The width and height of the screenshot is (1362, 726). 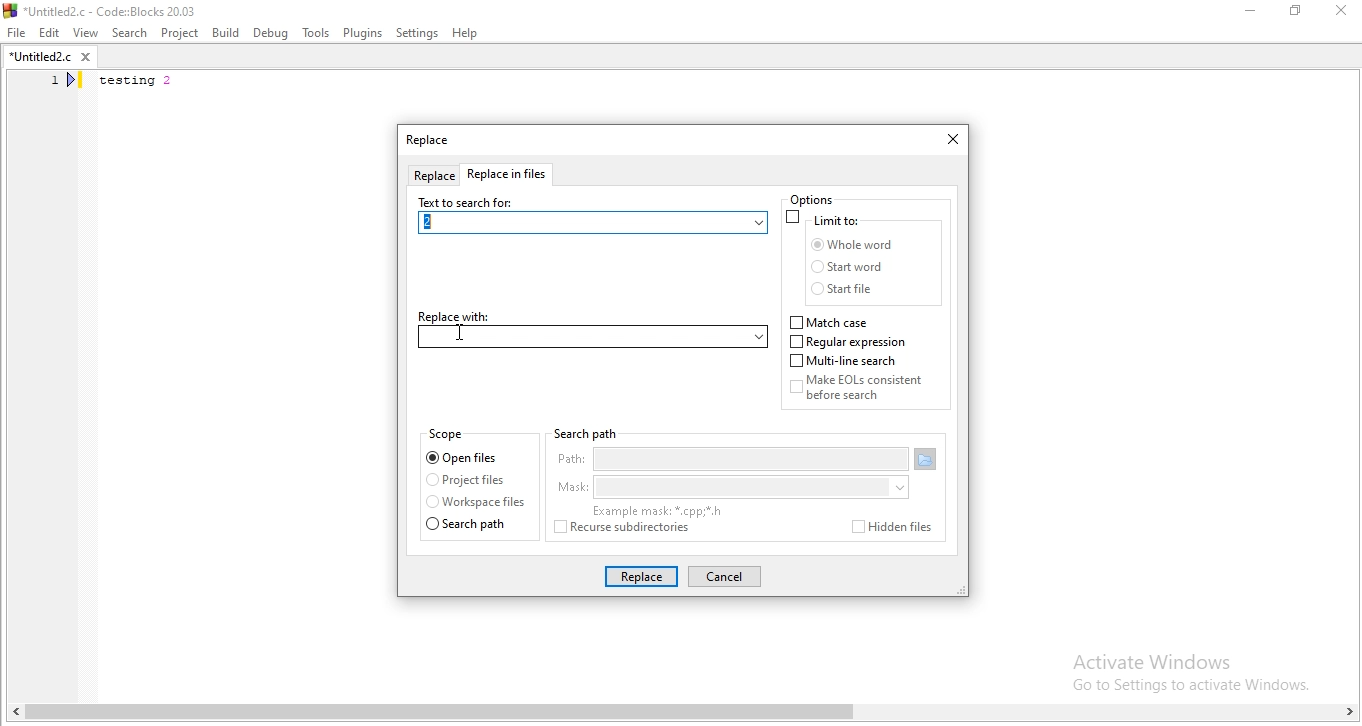 What do you see at coordinates (181, 32) in the screenshot?
I see `Project ` at bounding box center [181, 32].